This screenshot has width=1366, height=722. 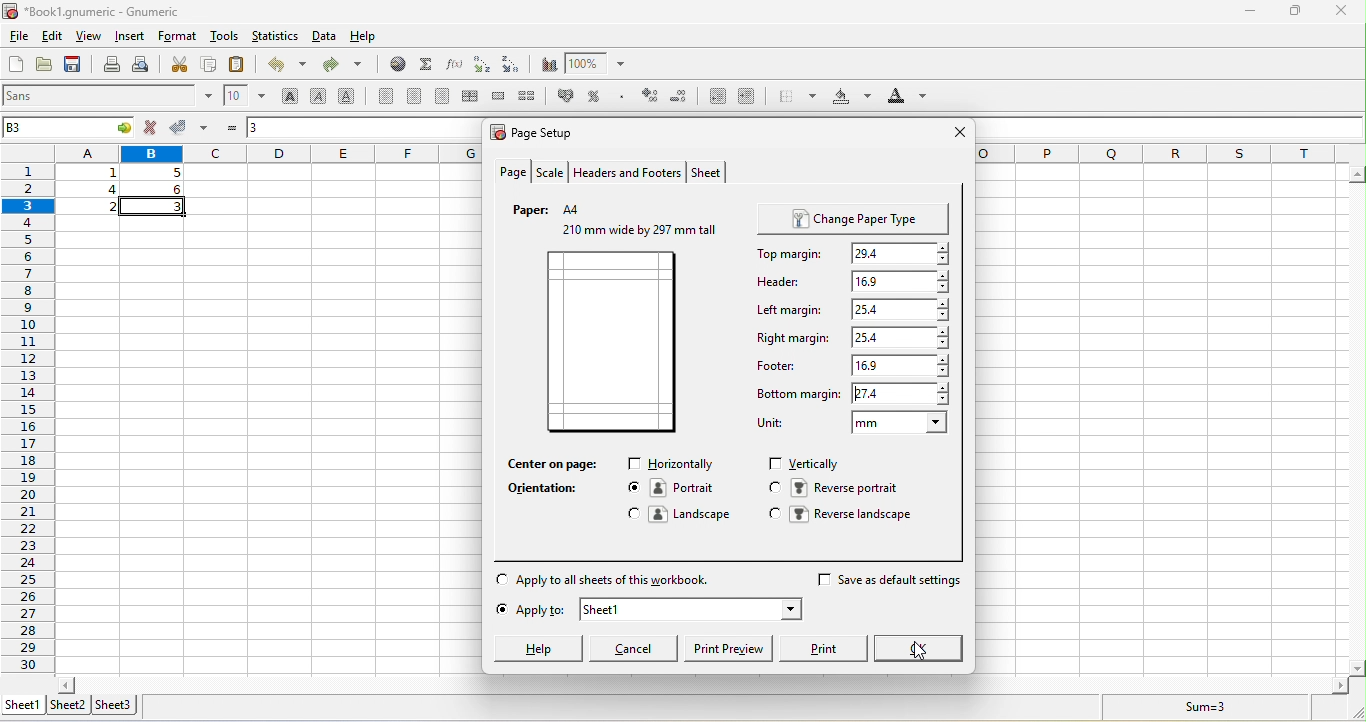 What do you see at coordinates (76, 65) in the screenshot?
I see `save` at bounding box center [76, 65].